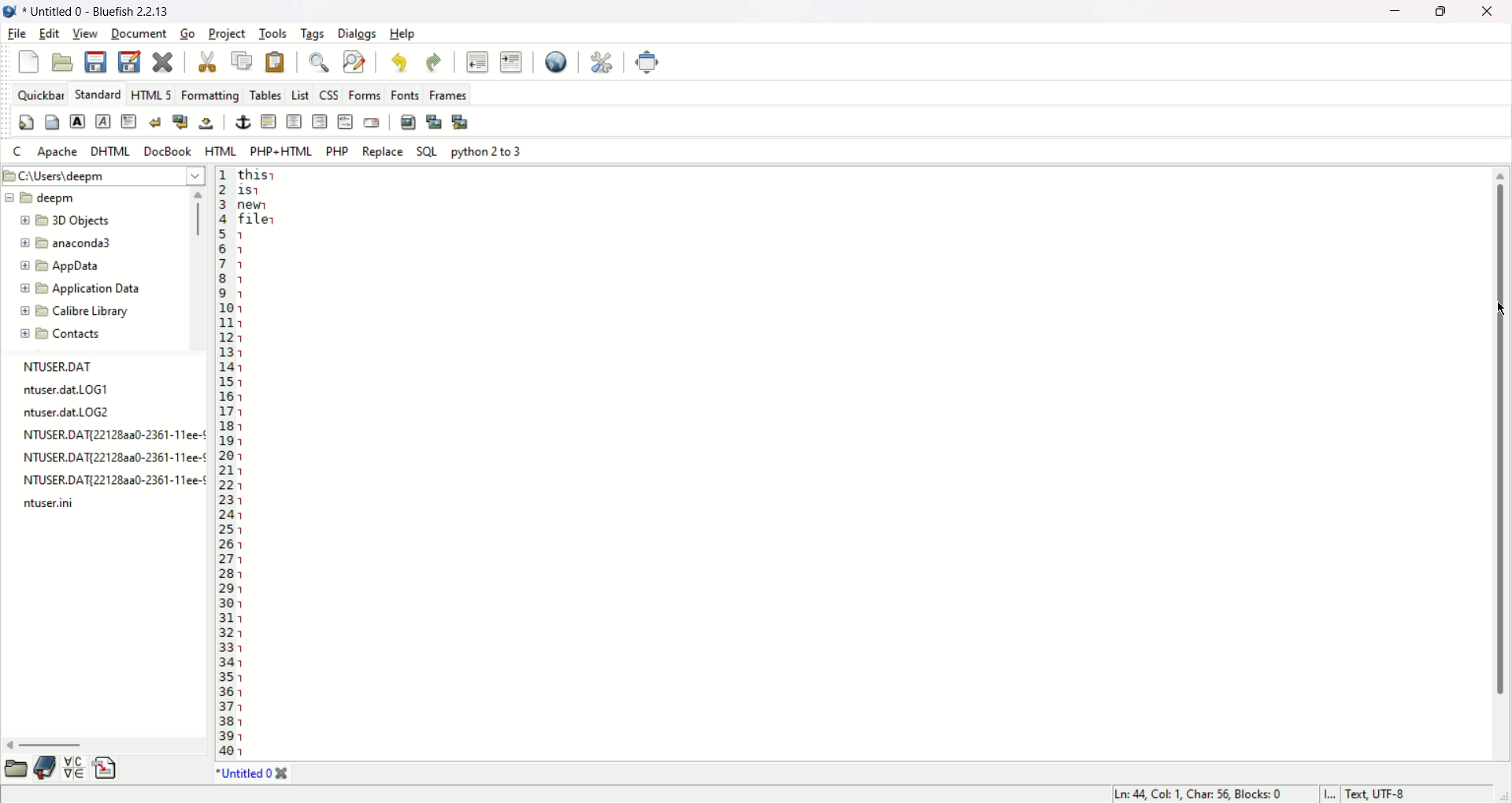 The image size is (1512, 803). I want to click on css, so click(328, 94).